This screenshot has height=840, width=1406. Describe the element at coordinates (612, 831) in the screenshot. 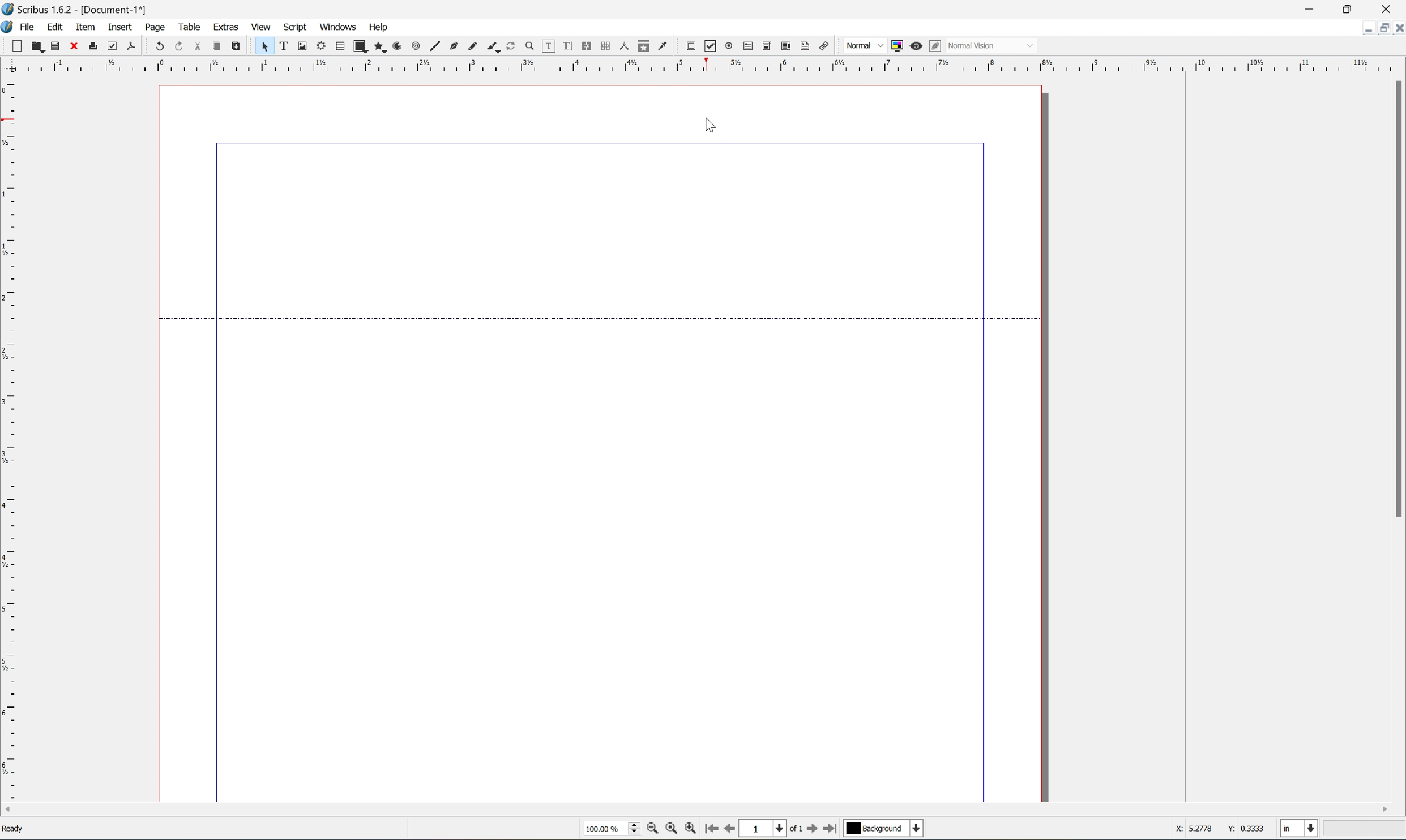

I see `select current zoom level` at that location.